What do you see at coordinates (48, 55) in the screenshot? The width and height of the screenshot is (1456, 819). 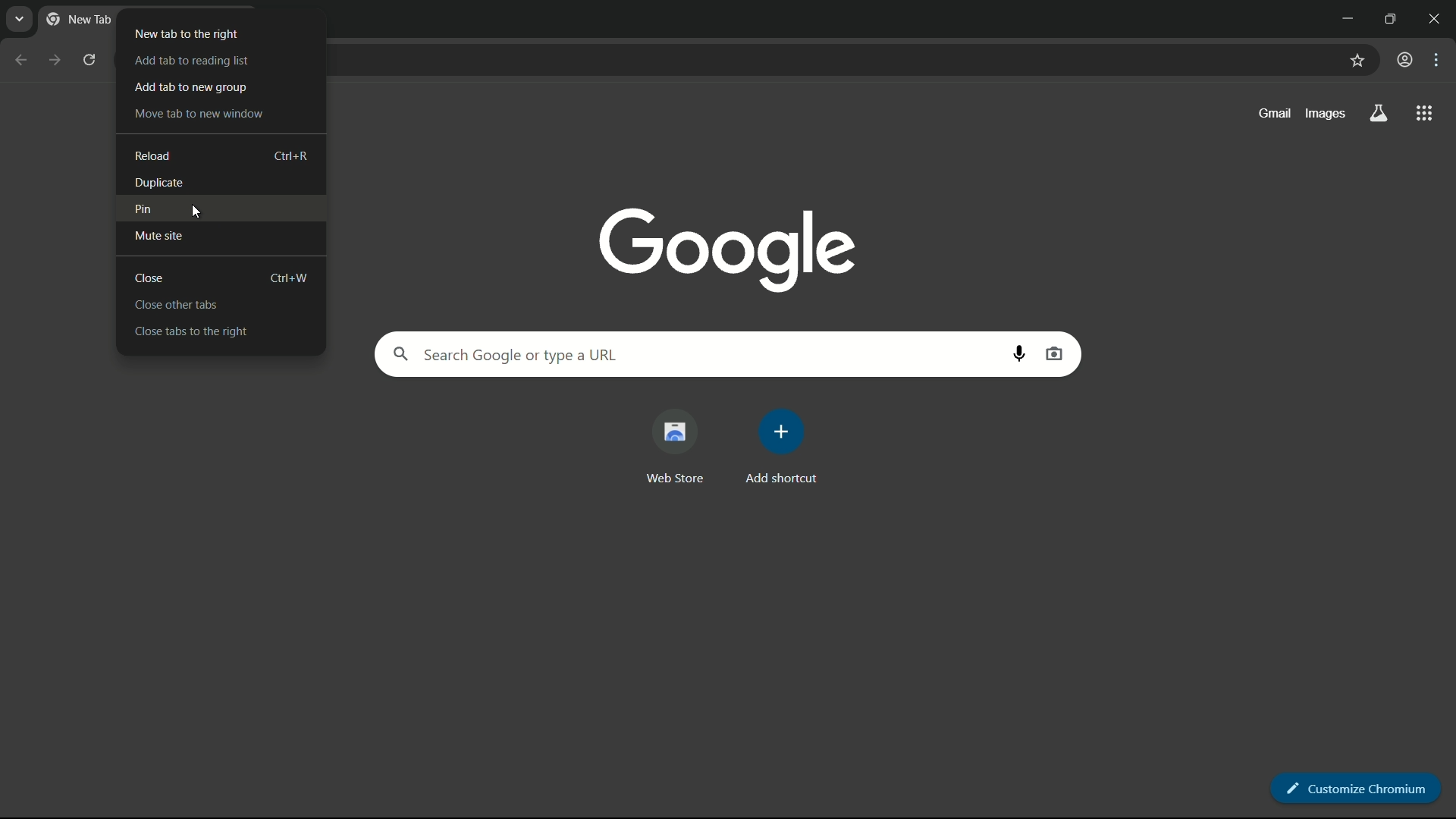 I see `next page` at bounding box center [48, 55].